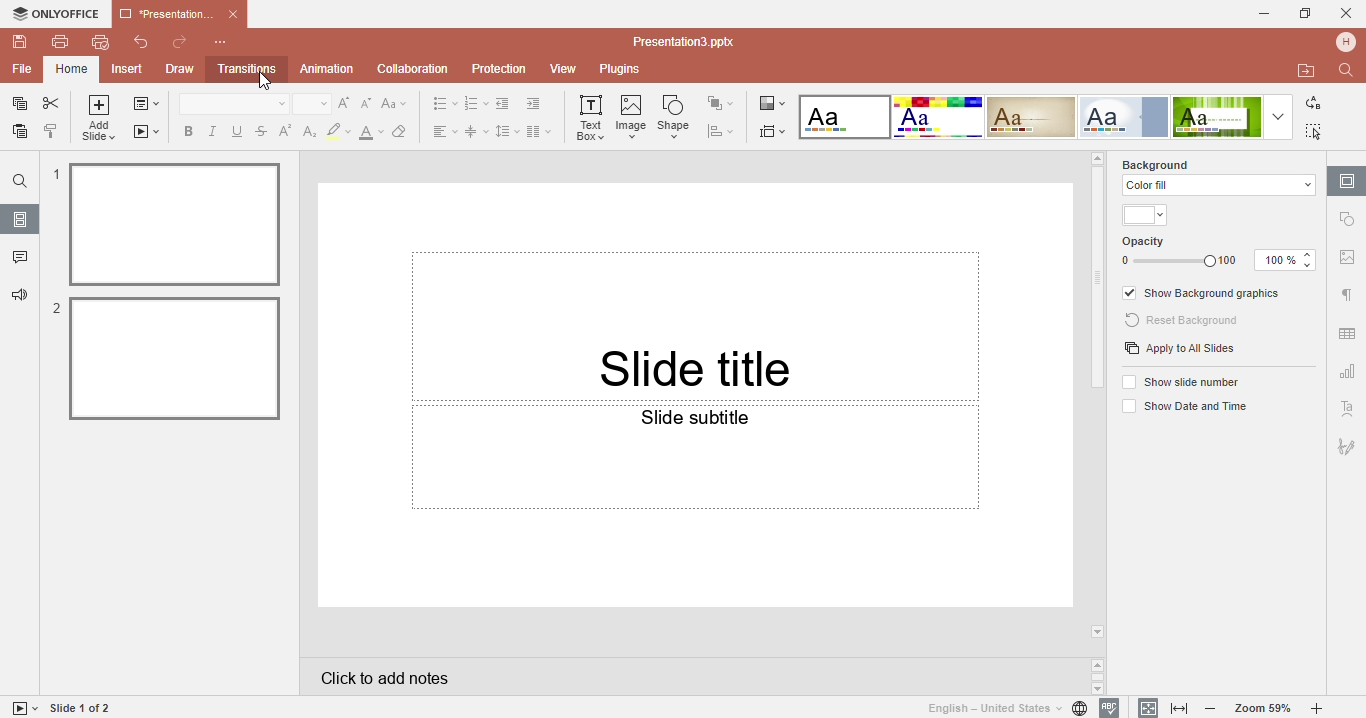 This screenshot has width=1366, height=718. Describe the element at coordinates (1097, 157) in the screenshot. I see `arrow up` at that location.